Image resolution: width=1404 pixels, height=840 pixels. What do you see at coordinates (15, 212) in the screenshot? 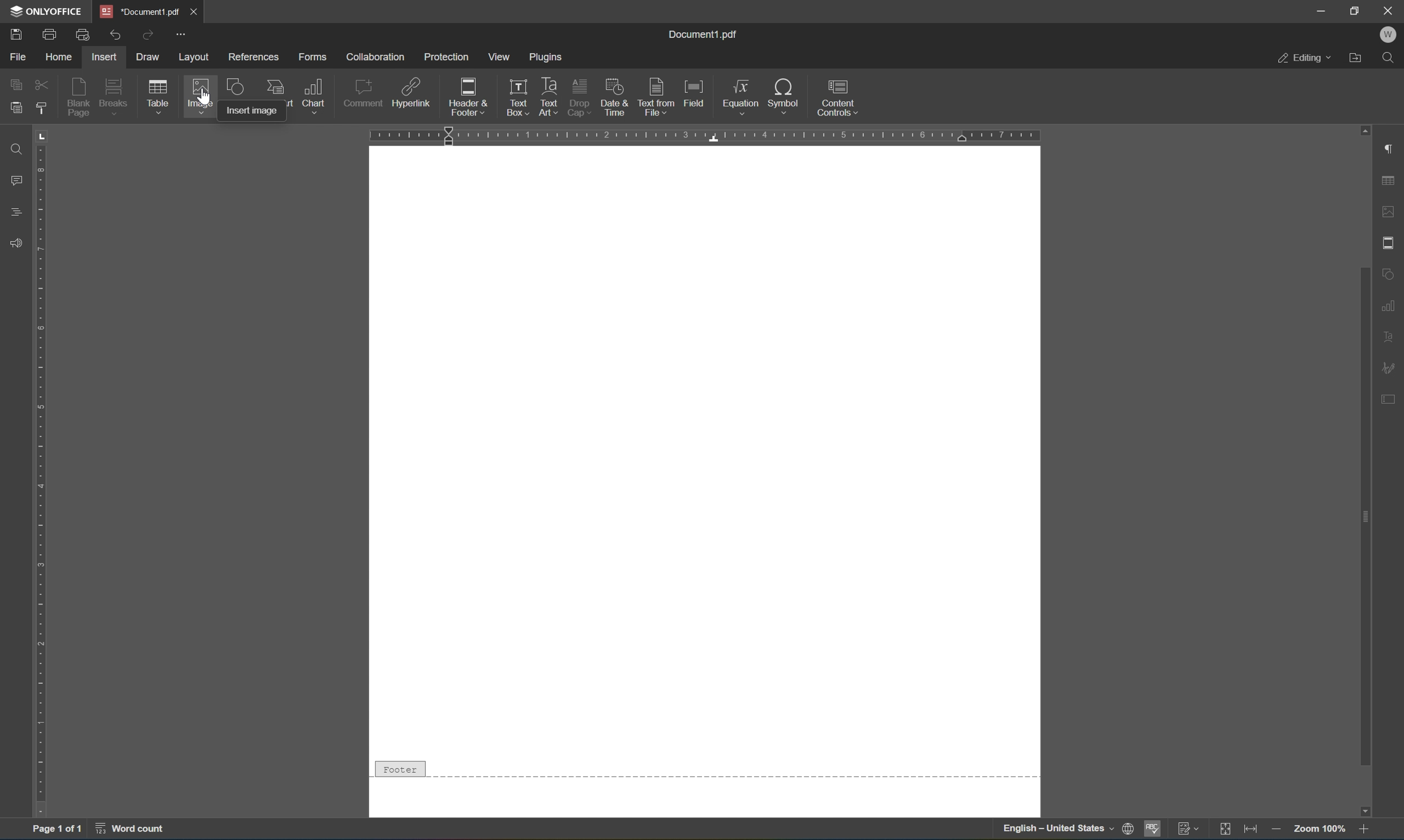
I see `headings` at bounding box center [15, 212].